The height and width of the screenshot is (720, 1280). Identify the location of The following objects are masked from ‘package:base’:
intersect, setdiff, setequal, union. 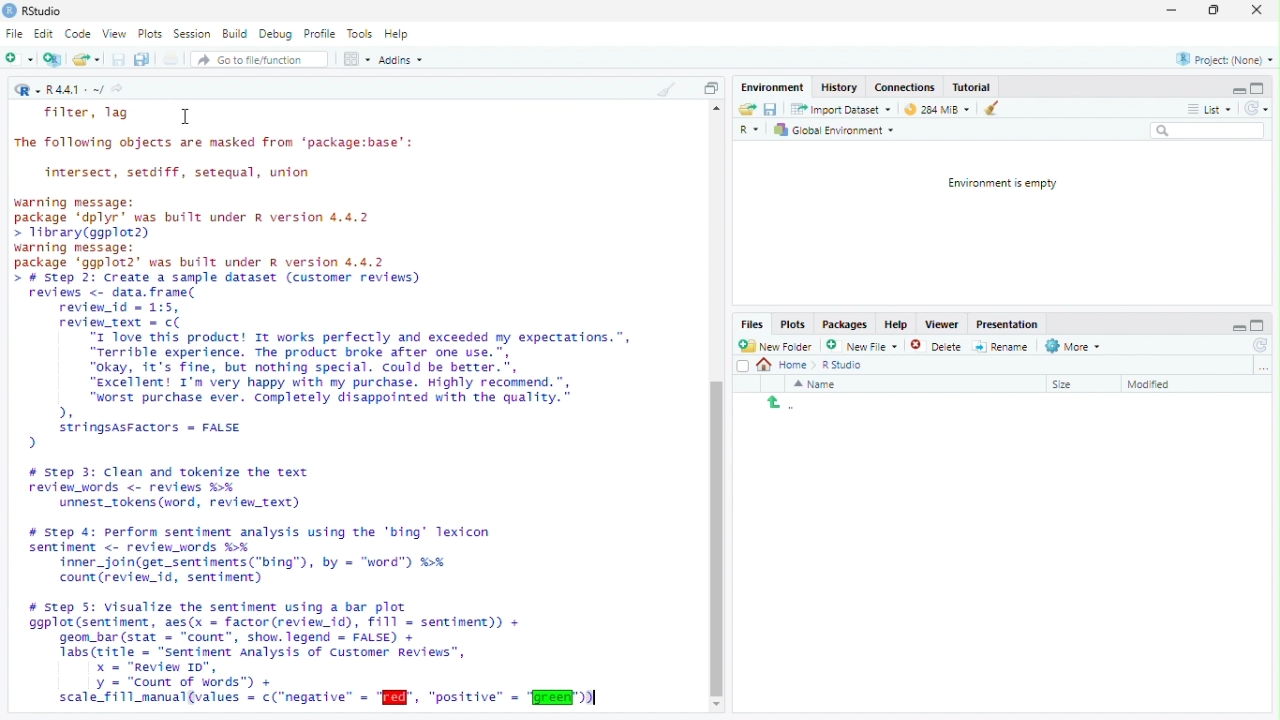
(225, 160).